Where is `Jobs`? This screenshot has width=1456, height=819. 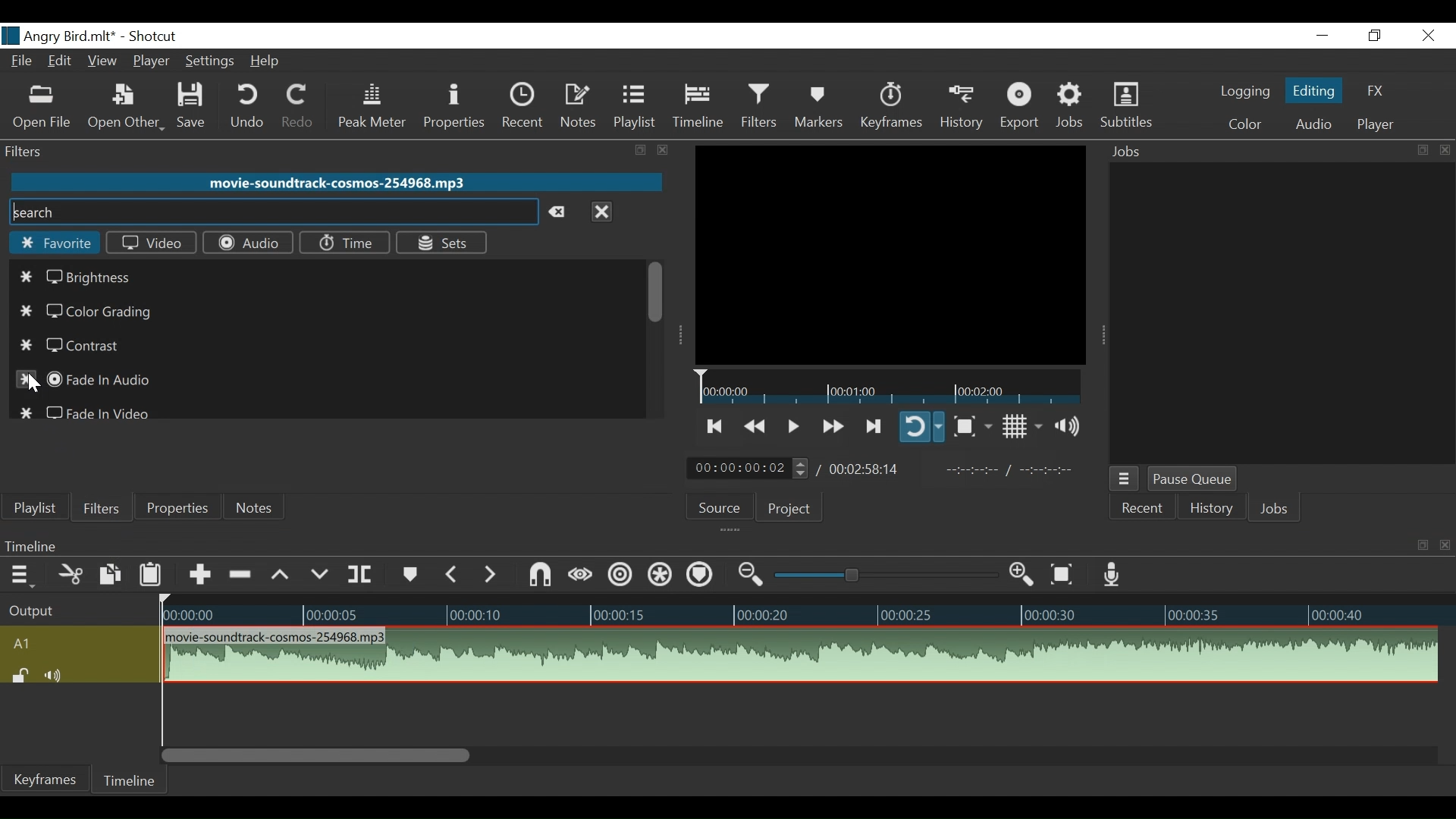
Jobs is located at coordinates (1254, 152).